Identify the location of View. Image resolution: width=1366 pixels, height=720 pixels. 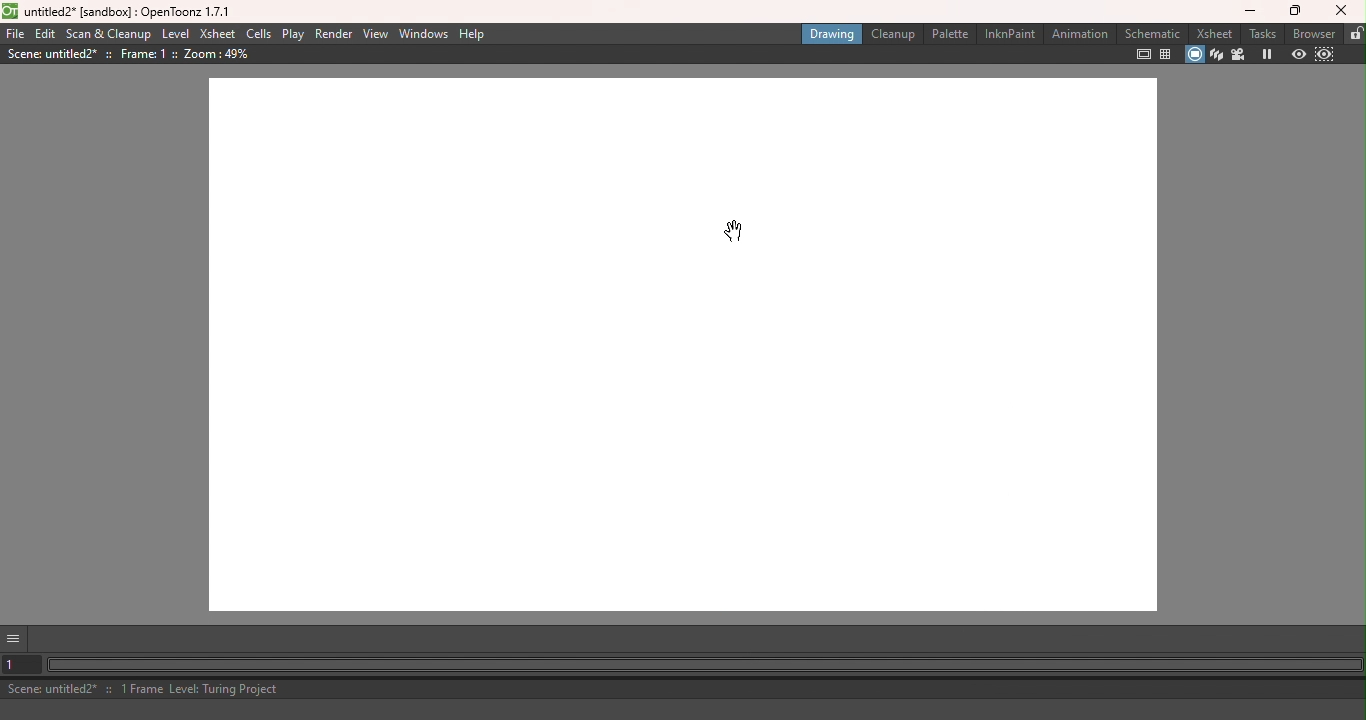
(376, 35).